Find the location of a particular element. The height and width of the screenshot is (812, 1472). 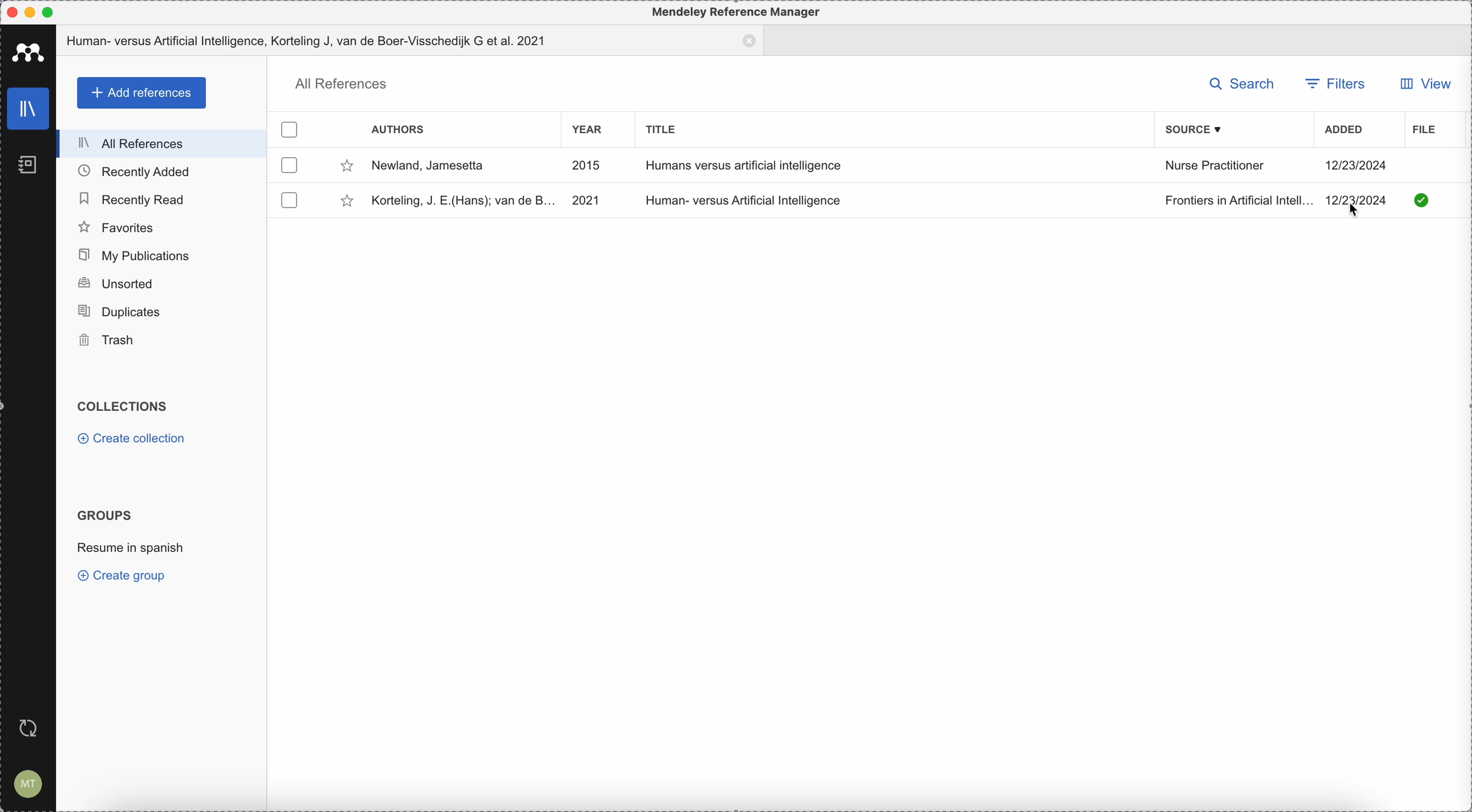

12/23/2024 is located at coordinates (1355, 167).